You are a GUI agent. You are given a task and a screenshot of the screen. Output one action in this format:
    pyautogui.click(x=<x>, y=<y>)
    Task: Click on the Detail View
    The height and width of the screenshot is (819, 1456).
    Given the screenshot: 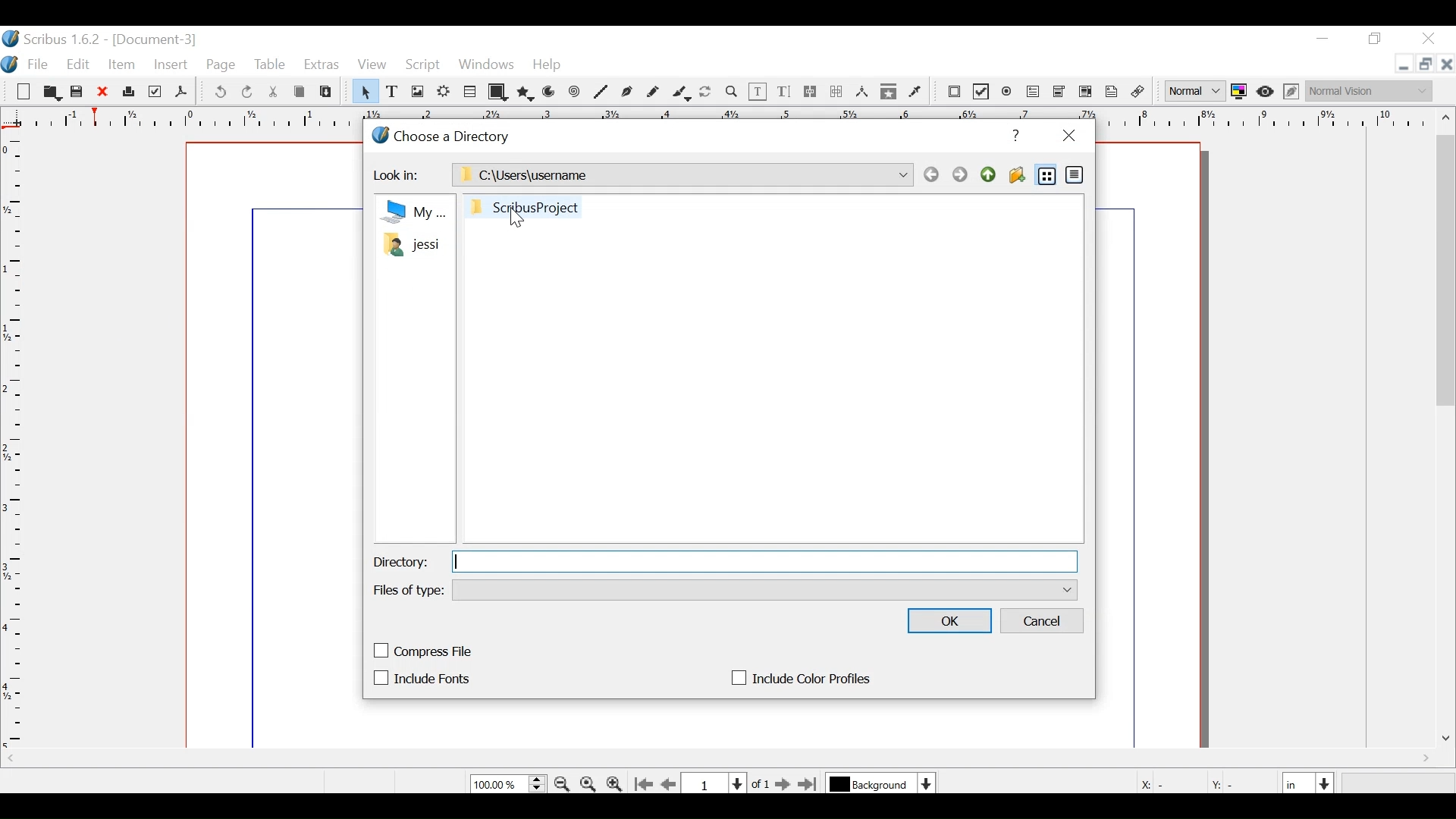 What is the action you would take?
    pyautogui.click(x=1076, y=174)
    